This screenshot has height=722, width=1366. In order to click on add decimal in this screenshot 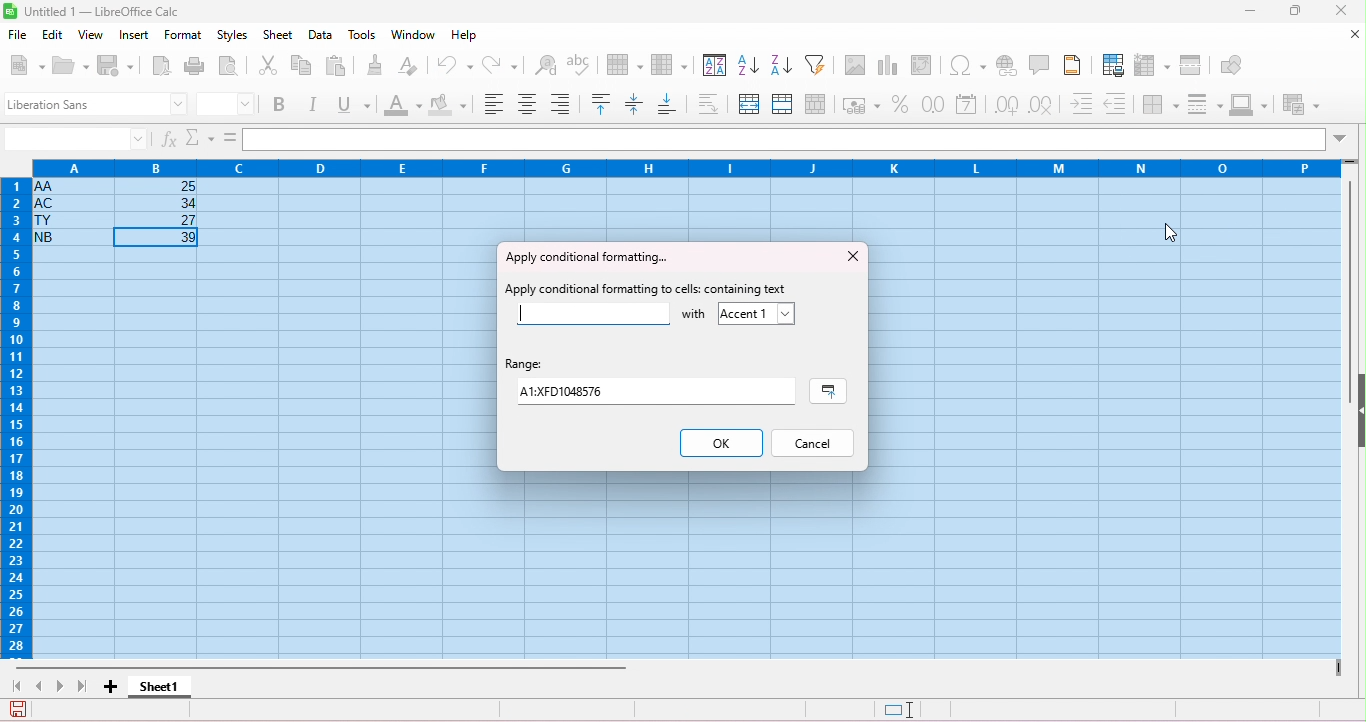, I will do `click(1006, 105)`.